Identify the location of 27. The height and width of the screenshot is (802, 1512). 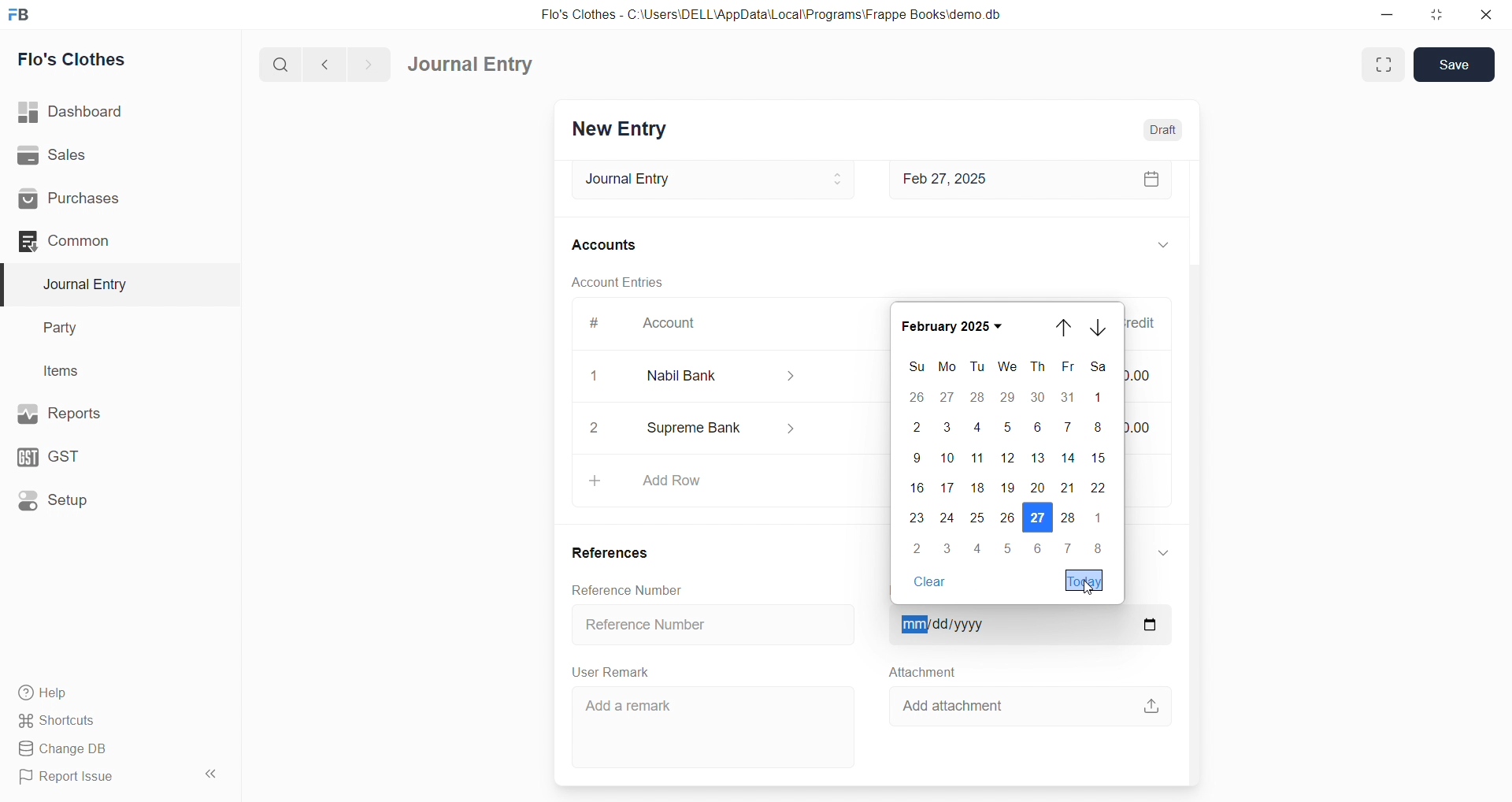
(946, 398).